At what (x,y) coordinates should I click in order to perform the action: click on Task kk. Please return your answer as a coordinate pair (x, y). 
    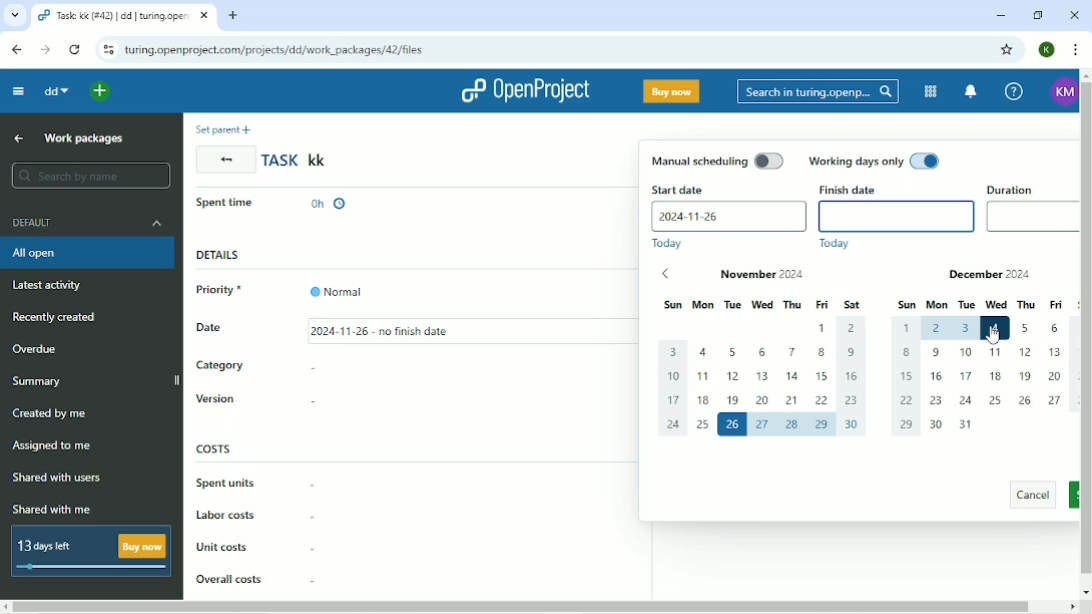
    Looking at the image, I should click on (297, 160).